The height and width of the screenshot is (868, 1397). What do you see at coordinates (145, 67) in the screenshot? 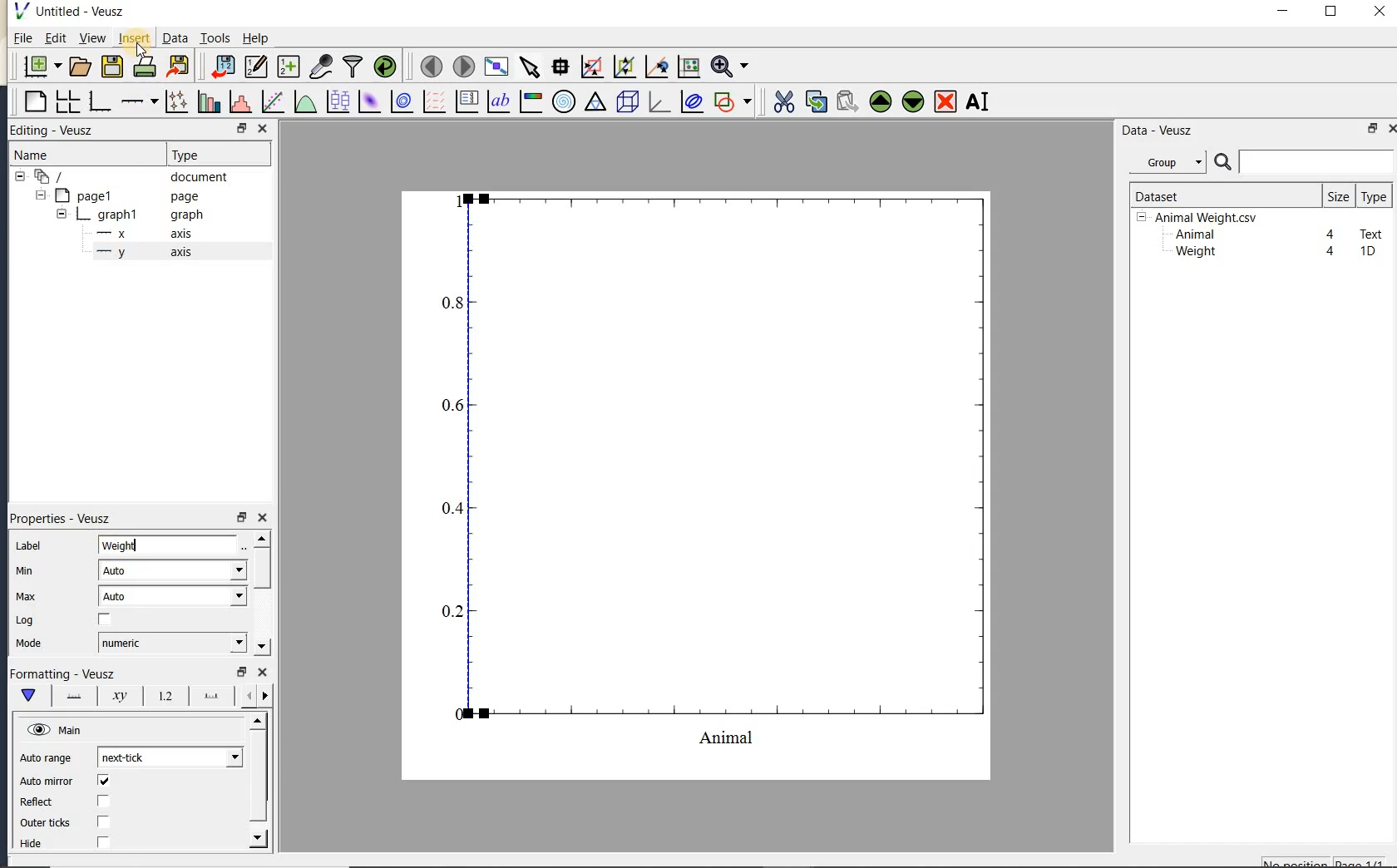
I see `print the document` at bounding box center [145, 67].